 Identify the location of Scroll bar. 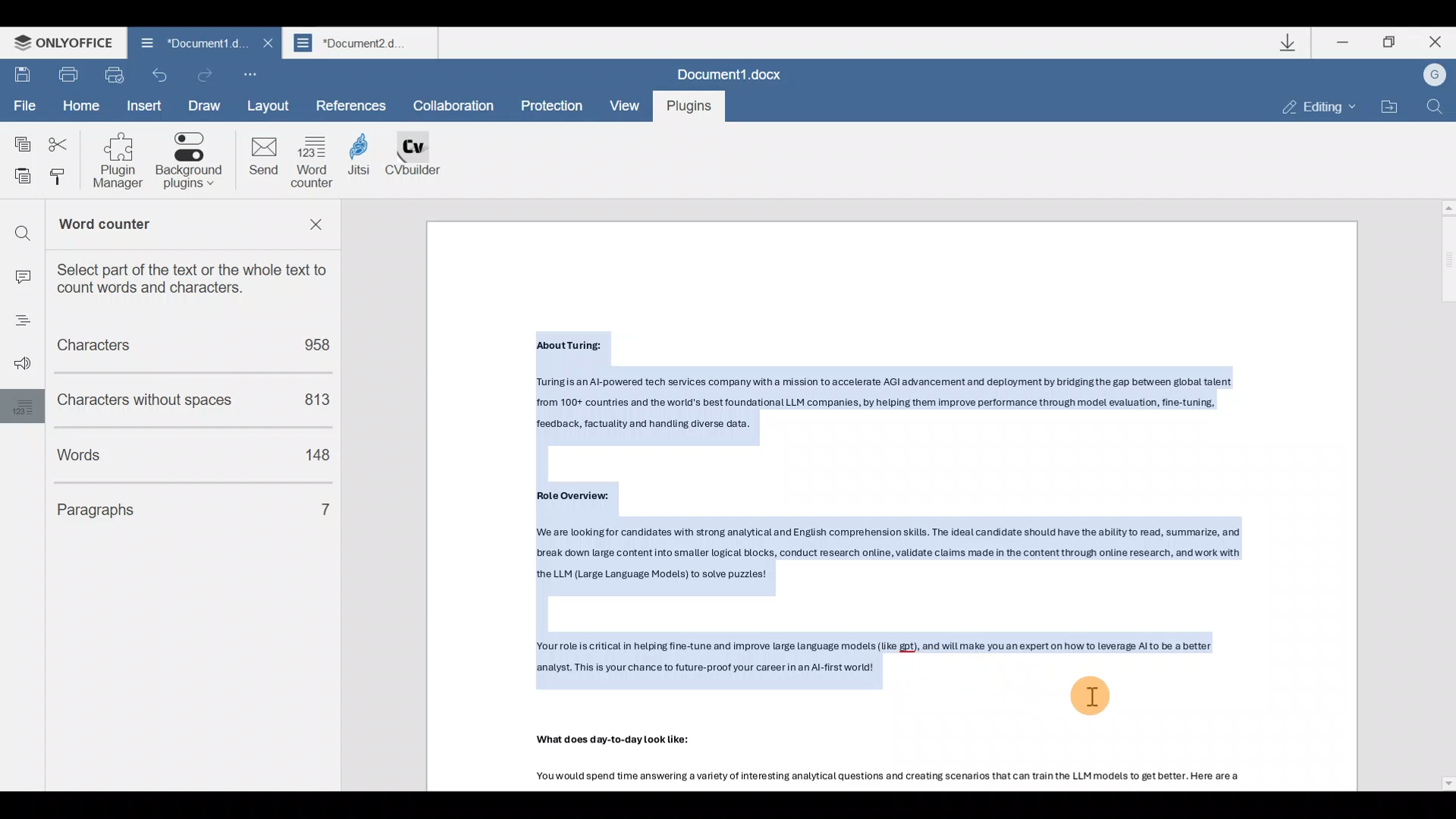
(1442, 494).